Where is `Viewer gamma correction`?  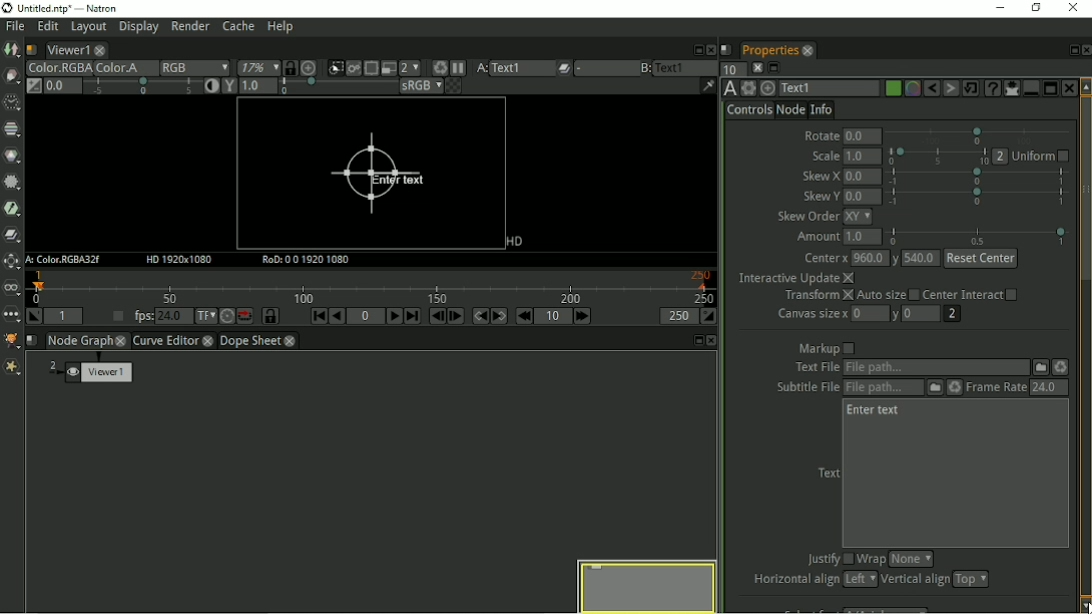 Viewer gamma correction is located at coordinates (257, 87).